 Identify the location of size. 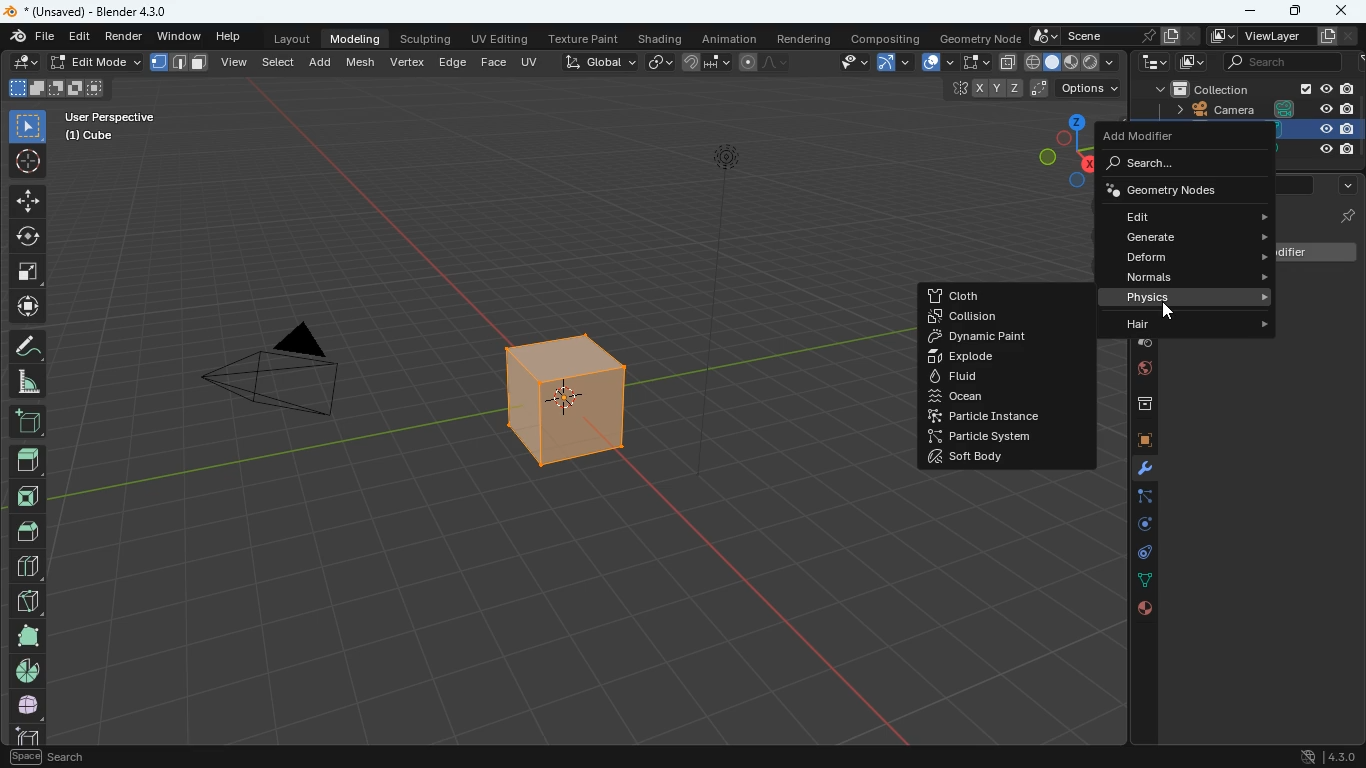
(55, 89).